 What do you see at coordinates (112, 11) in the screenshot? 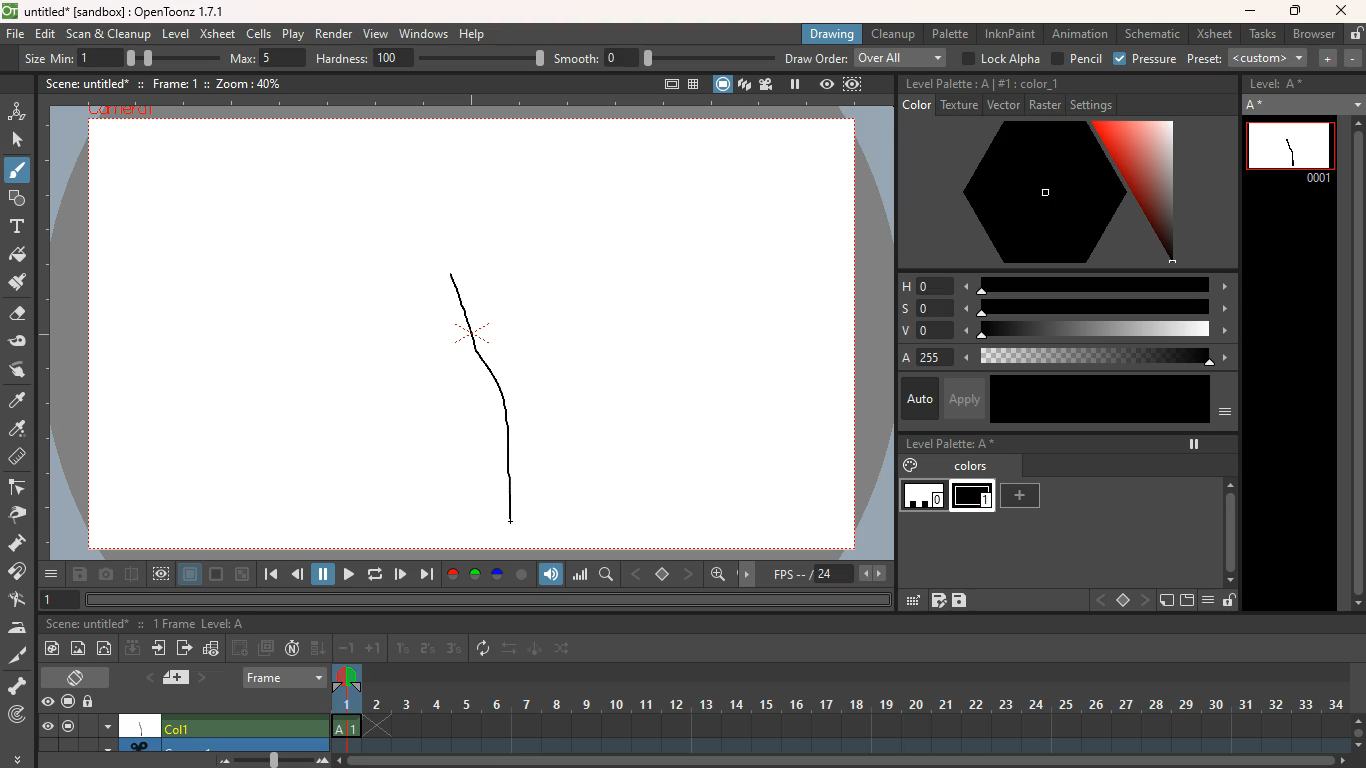
I see `untitled [sandbox] : OpenToonz 1.7.1` at bounding box center [112, 11].